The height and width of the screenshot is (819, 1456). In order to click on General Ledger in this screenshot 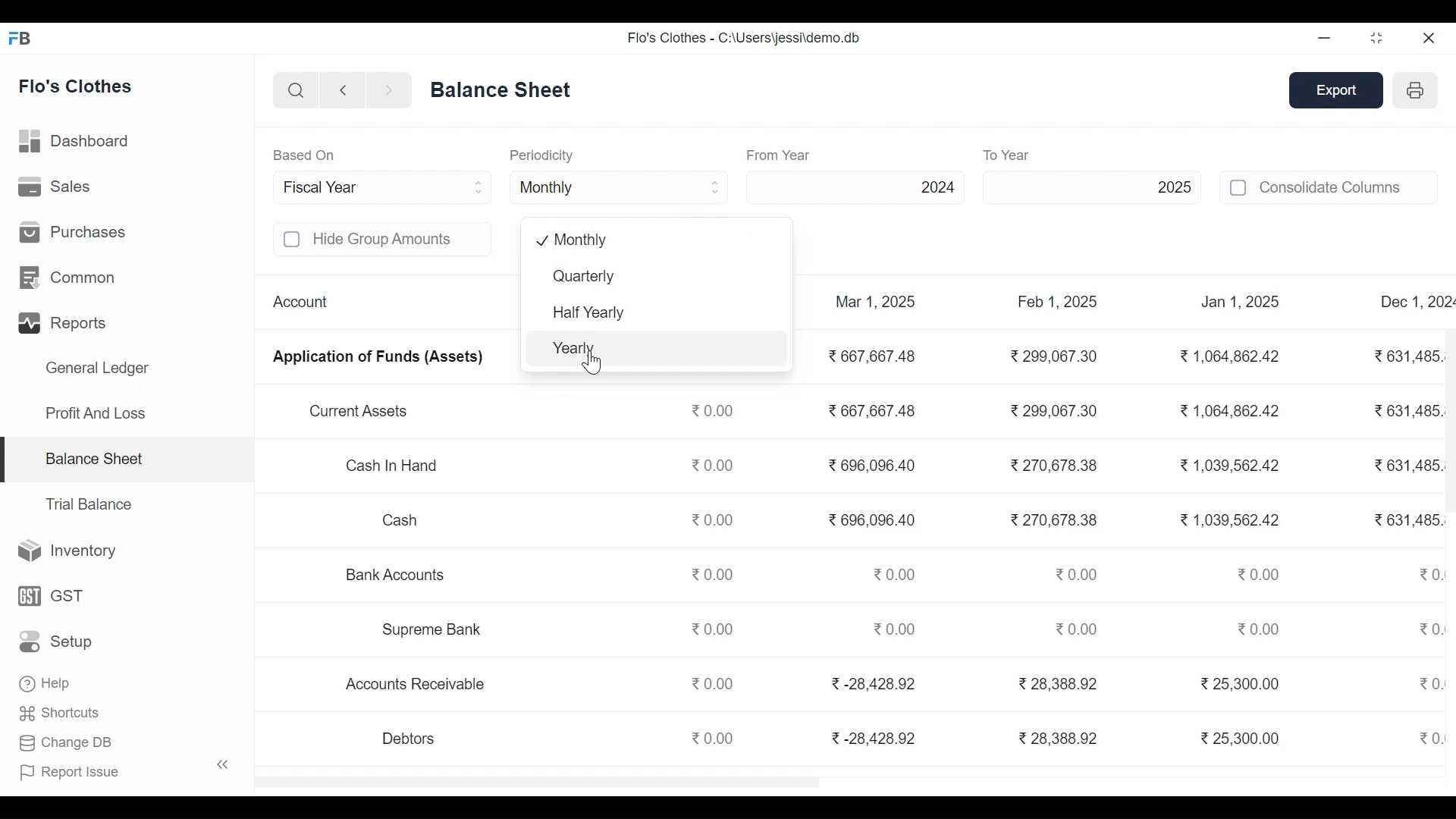, I will do `click(97, 370)`.